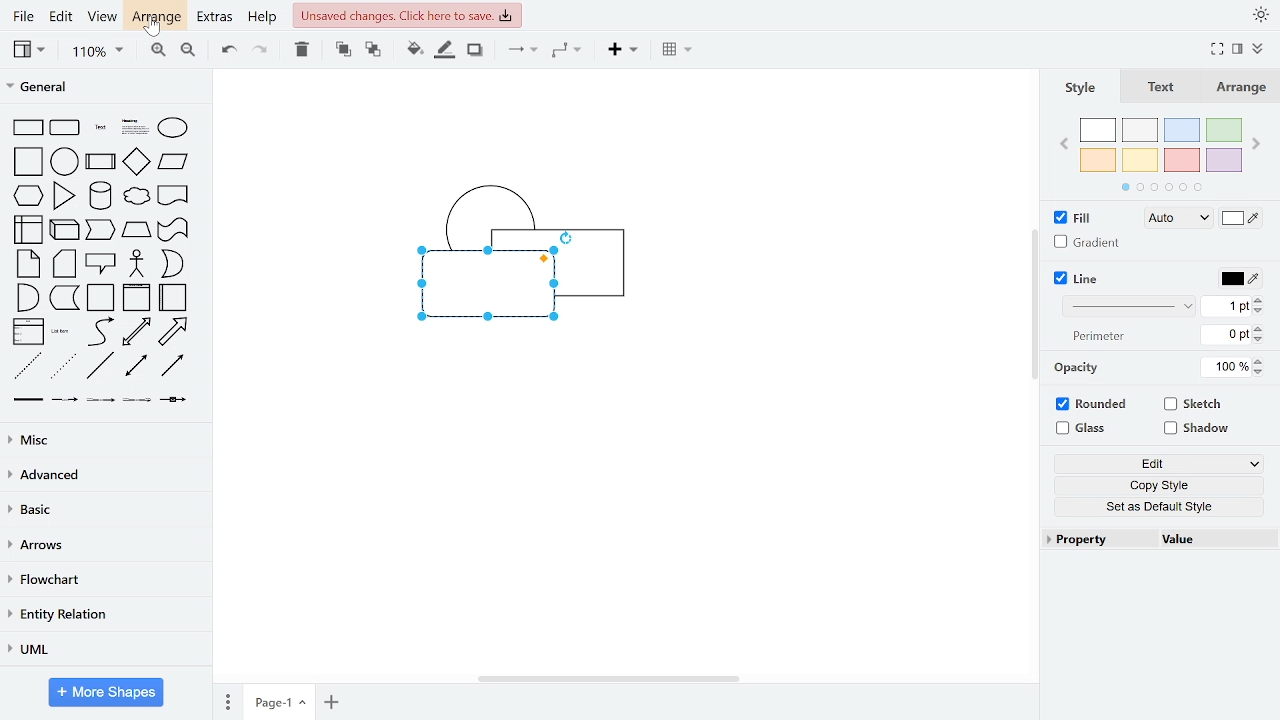 The image size is (1280, 720). I want to click on general, so click(104, 87).